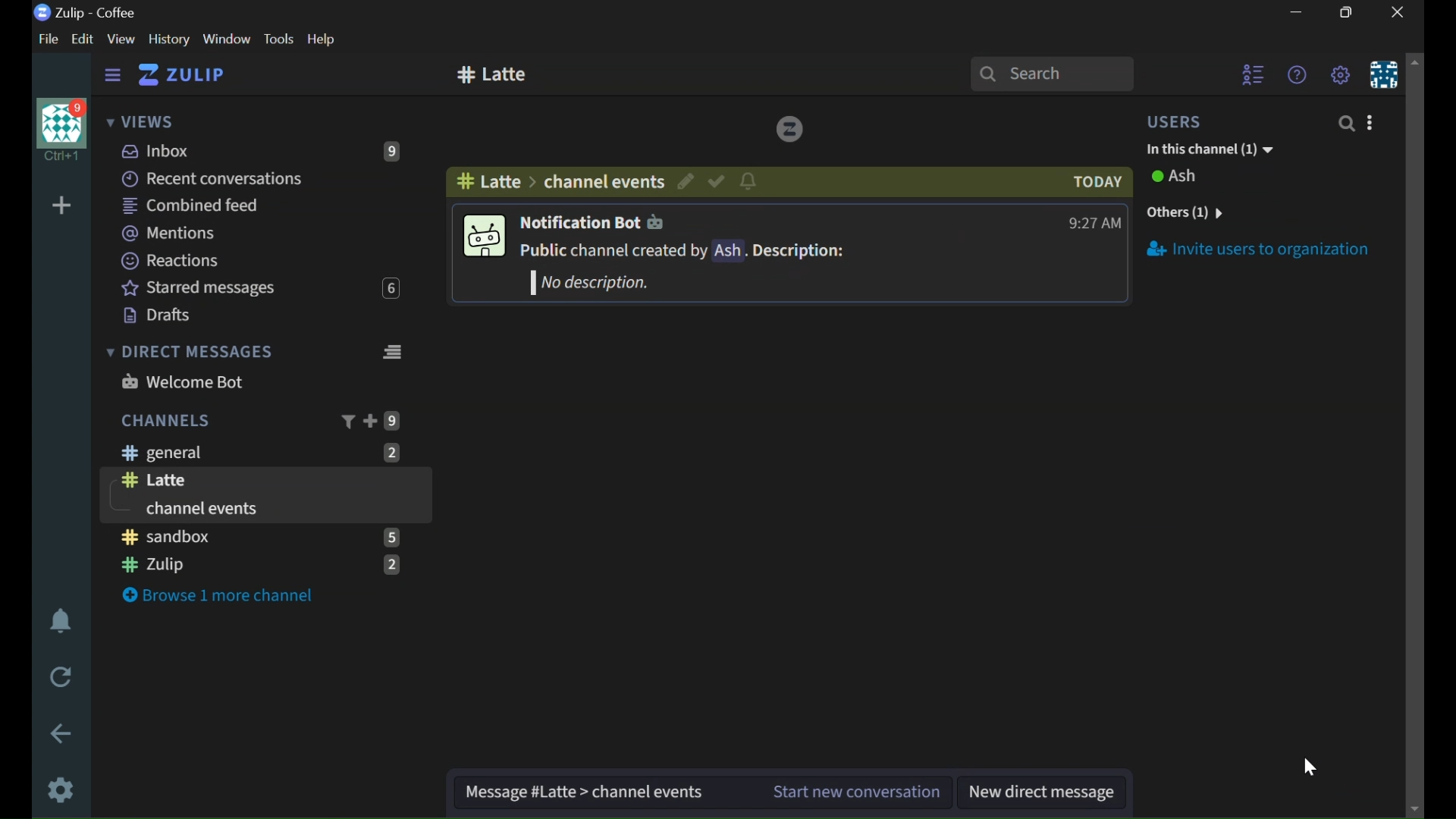 Image resolution: width=1456 pixels, height=819 pixels. Describe the element at coordinates (261, 452) in the screenshot. I see `GENERAL` at that location.